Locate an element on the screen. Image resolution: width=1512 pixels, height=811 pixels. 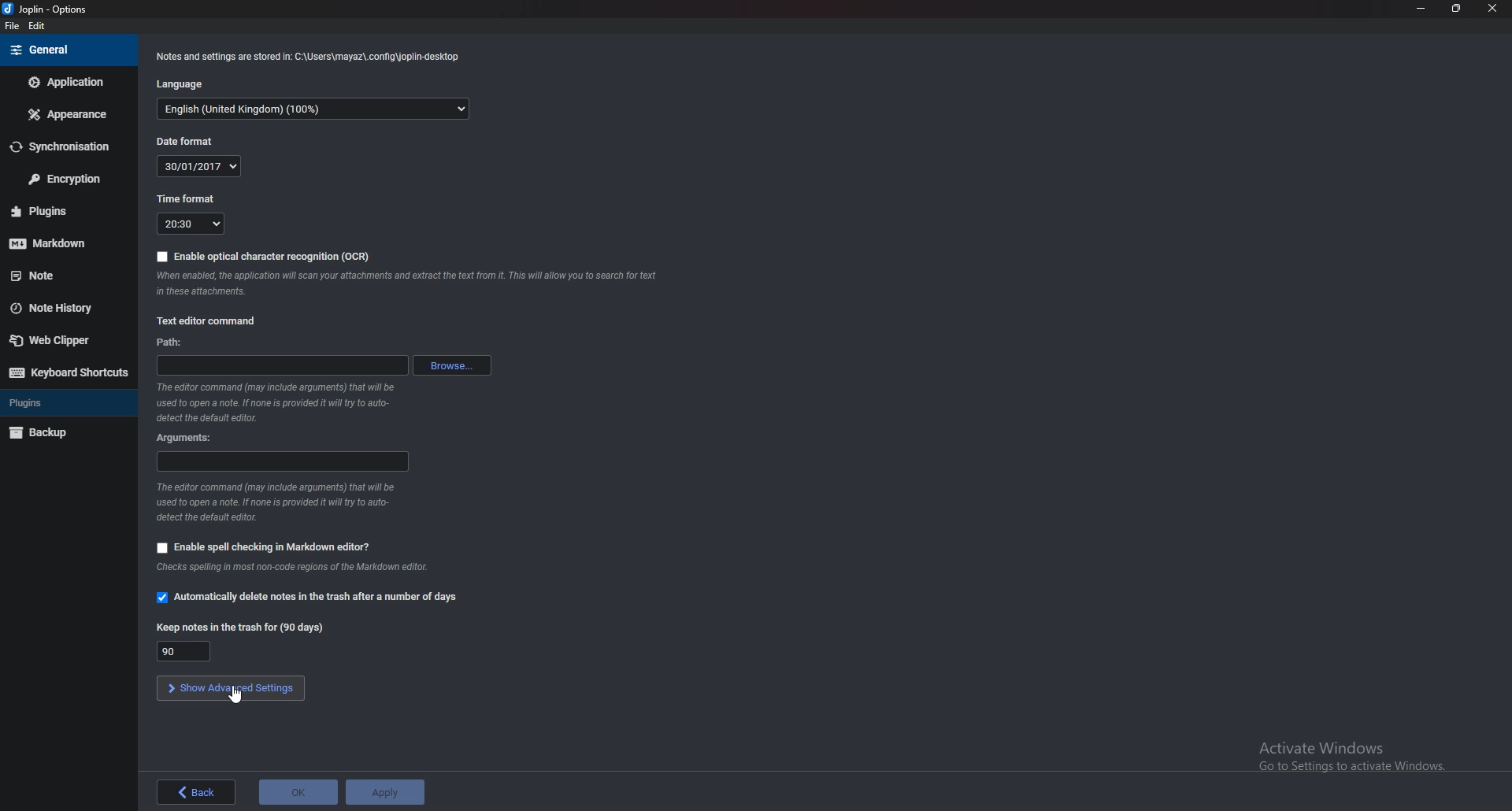
close is located at coordinates (1490, 7).